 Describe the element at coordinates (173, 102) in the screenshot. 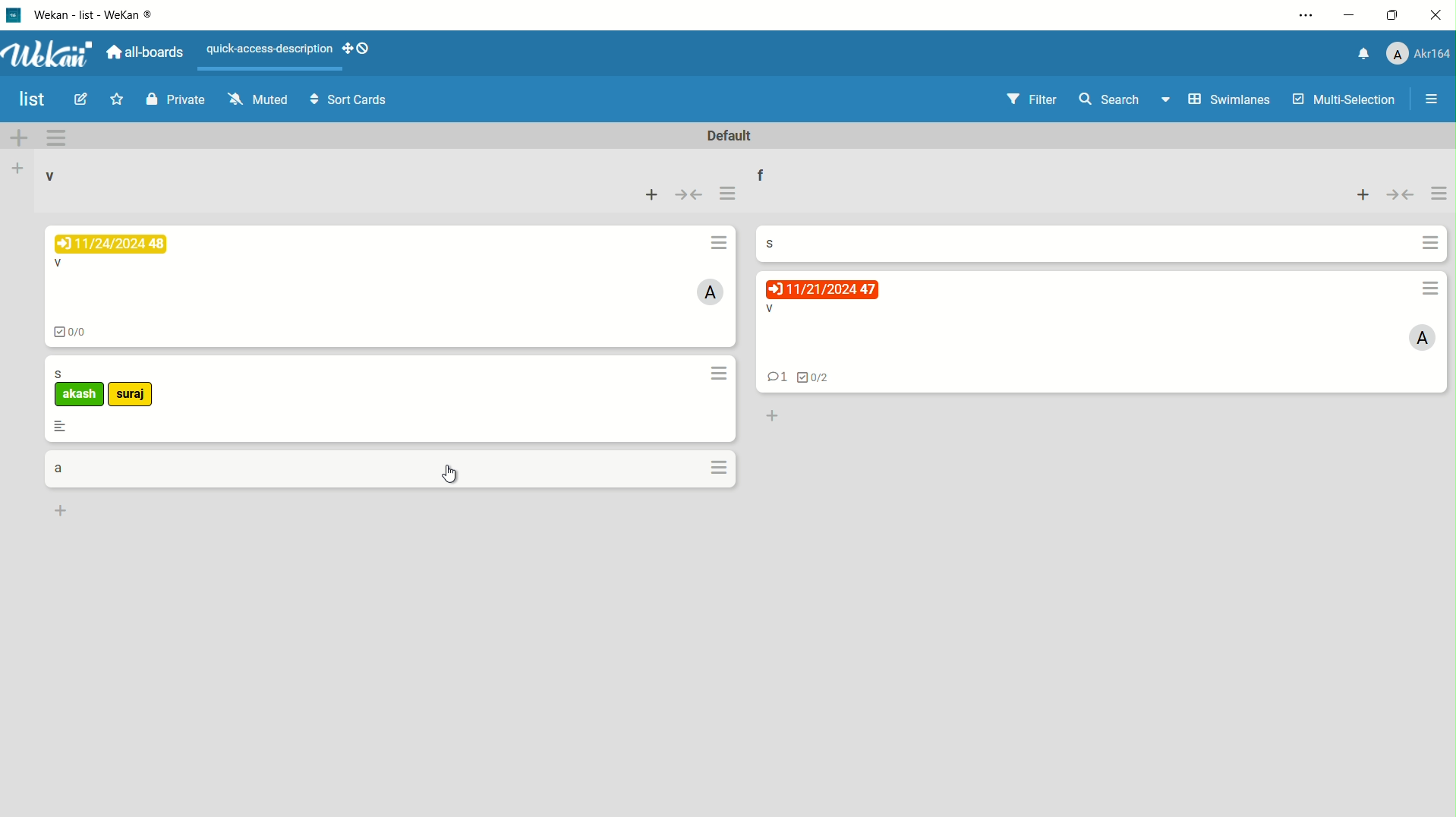

I see `private` at that location.